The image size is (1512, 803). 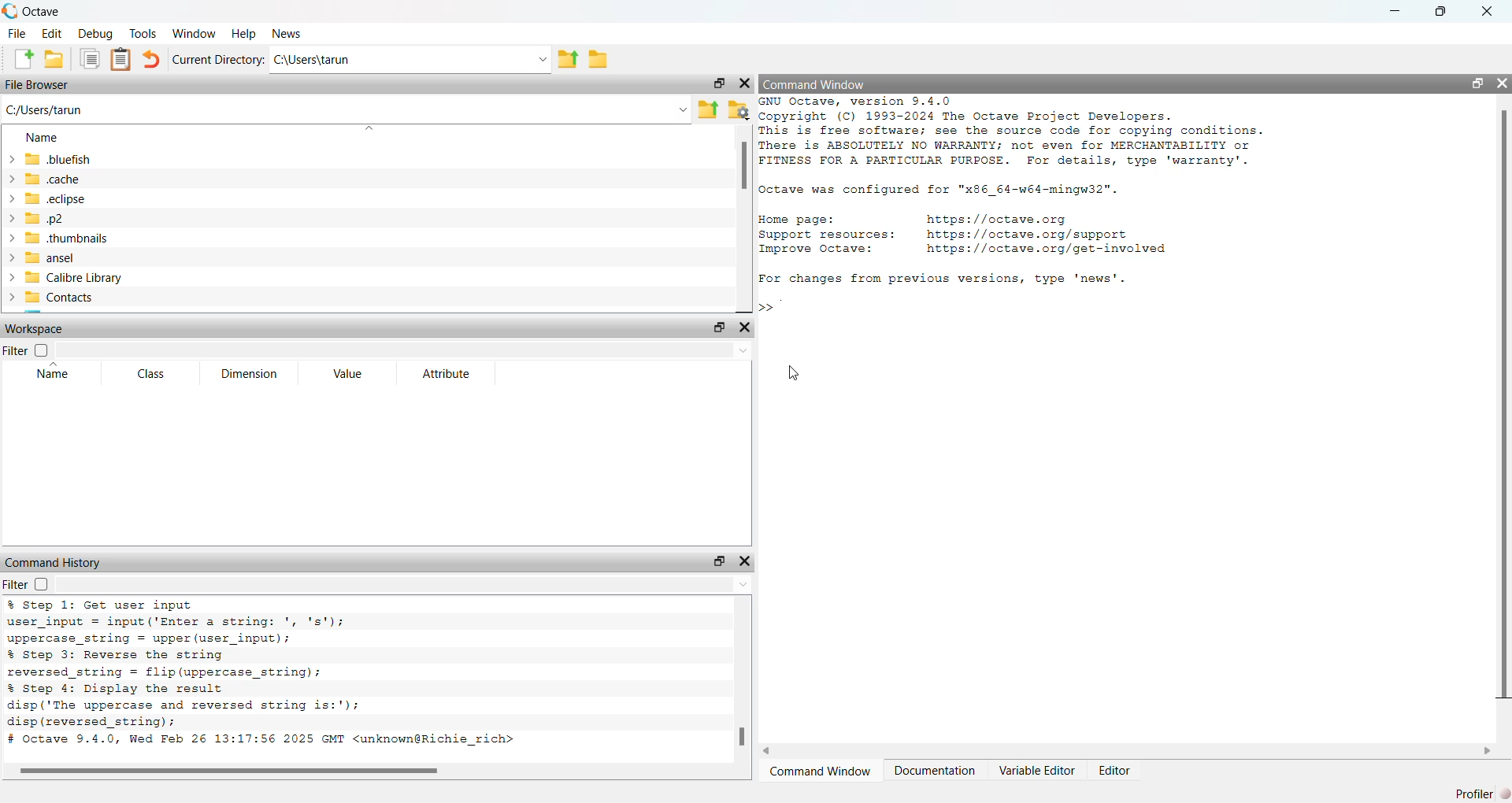 I want to click on documentation, so click(x=934, y=772).